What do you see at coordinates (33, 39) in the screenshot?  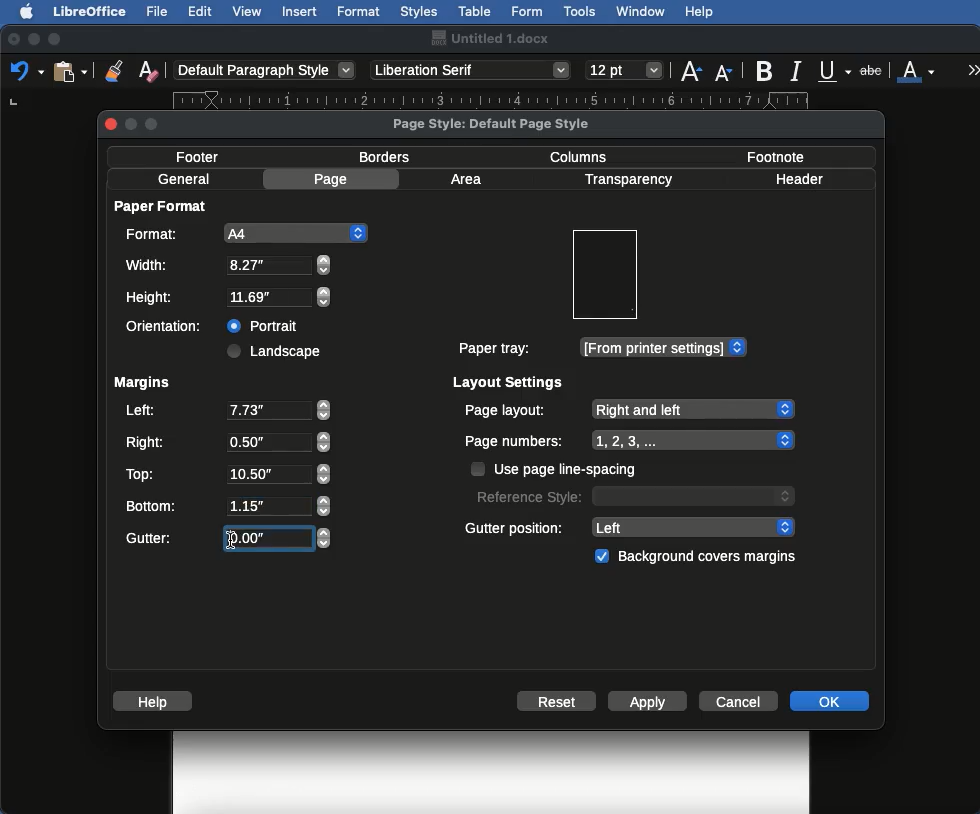 I see `Minimize` at bounding box center [33, 39].